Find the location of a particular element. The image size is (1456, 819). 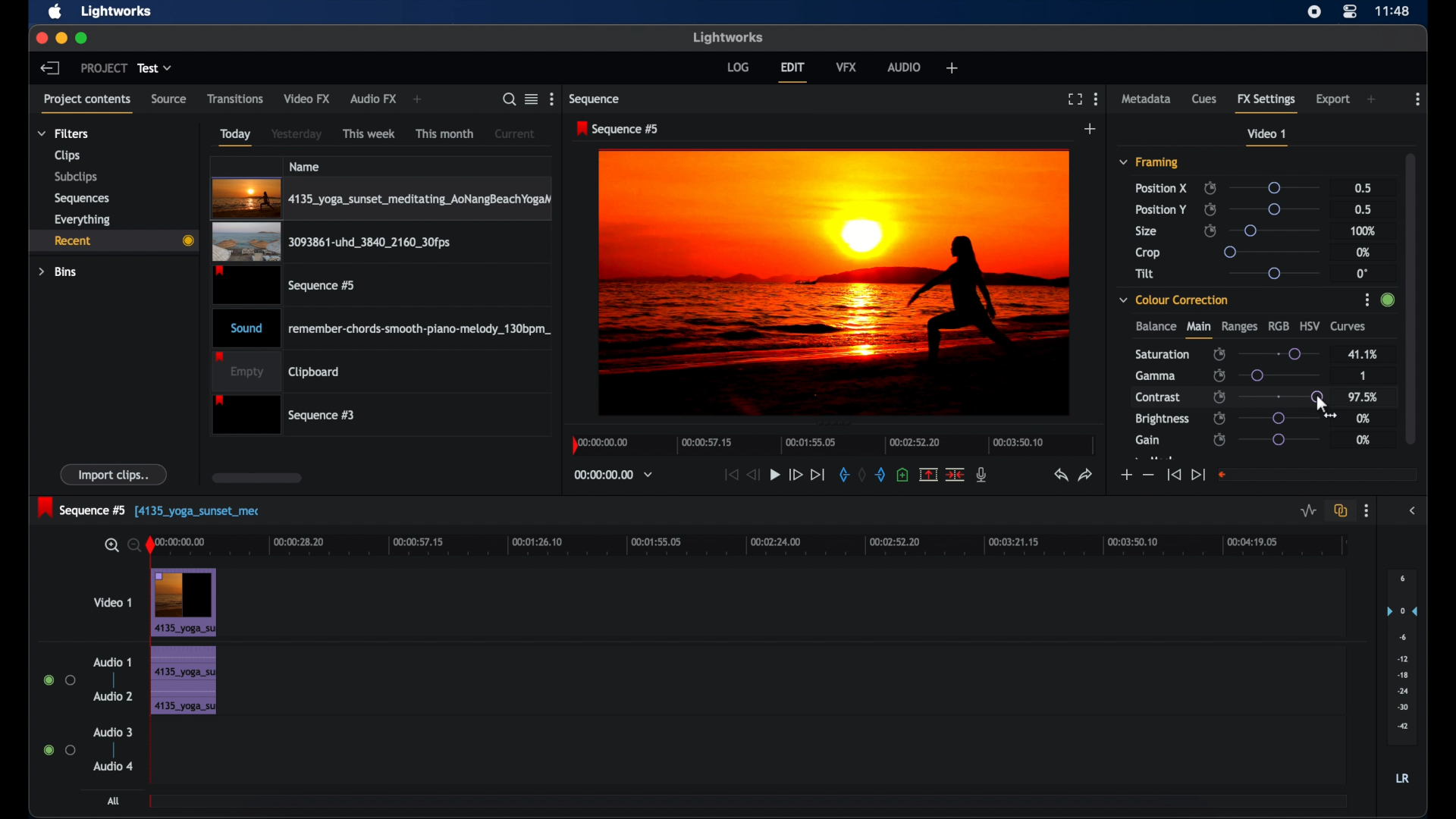

clear marks is located at coordinates (863, 475).